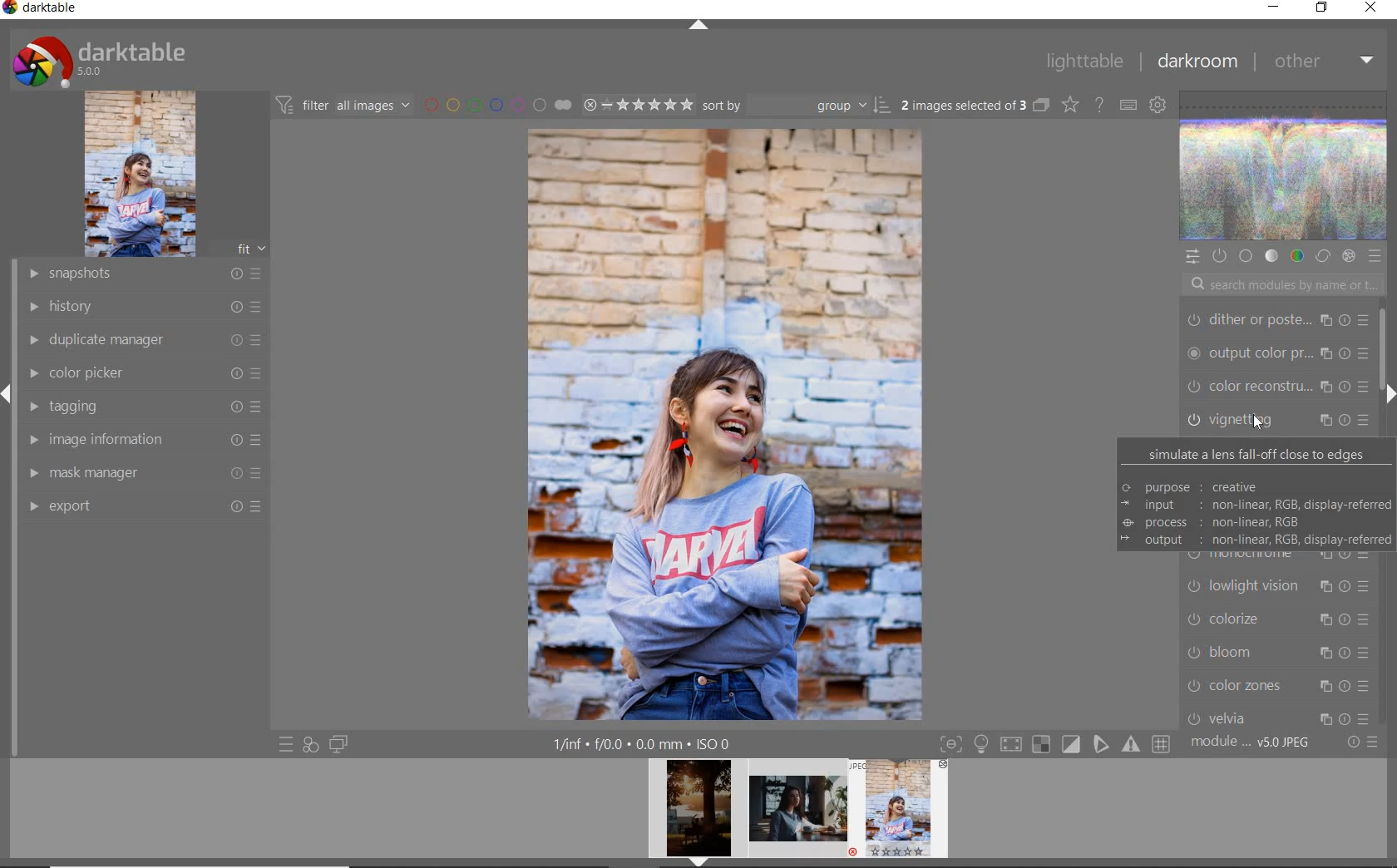 The height and width of the screenshot is (868, 1397). I want to click on quick access for applying any of your style, so click(309, 744).